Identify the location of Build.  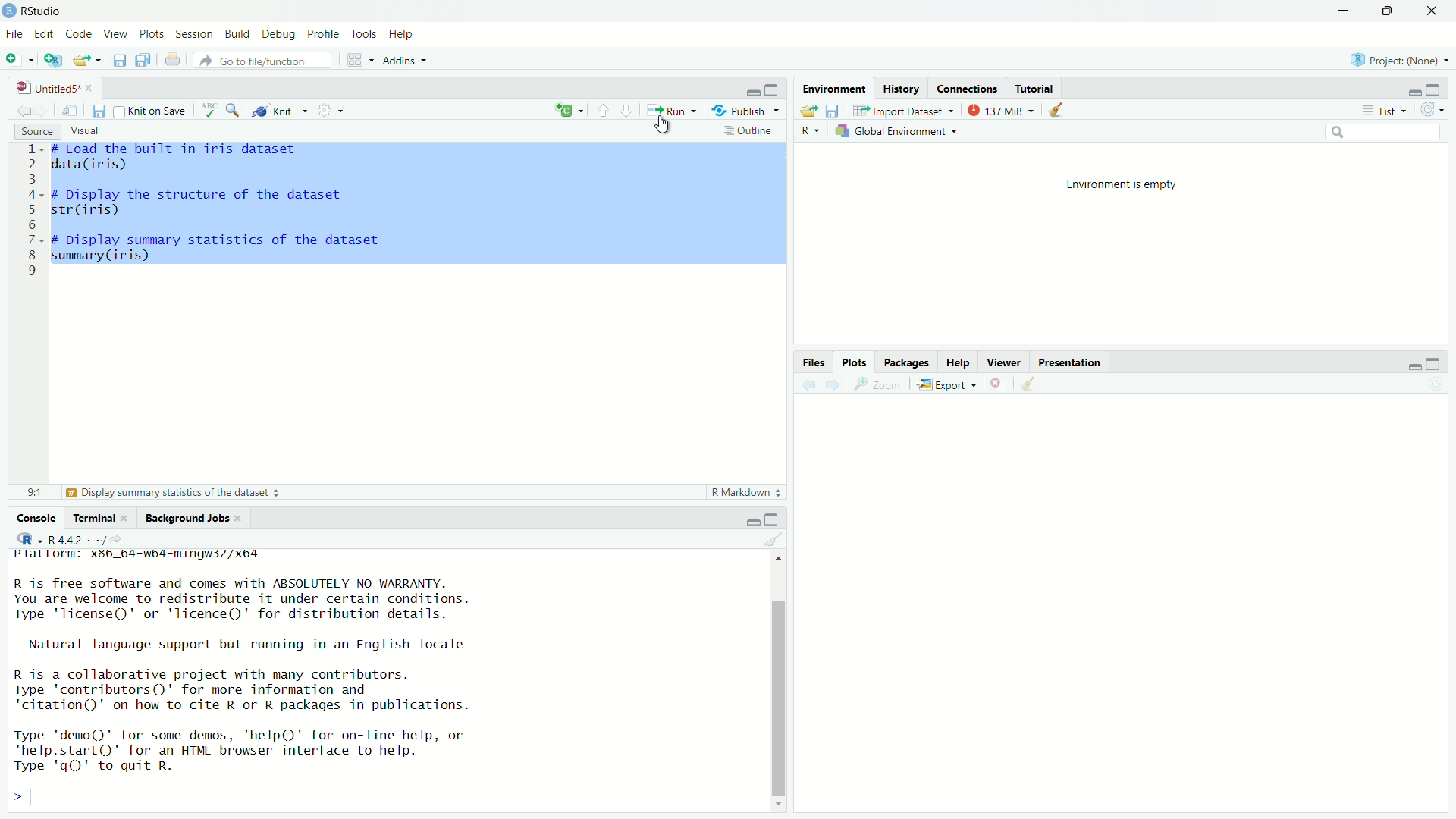
(237, 33).